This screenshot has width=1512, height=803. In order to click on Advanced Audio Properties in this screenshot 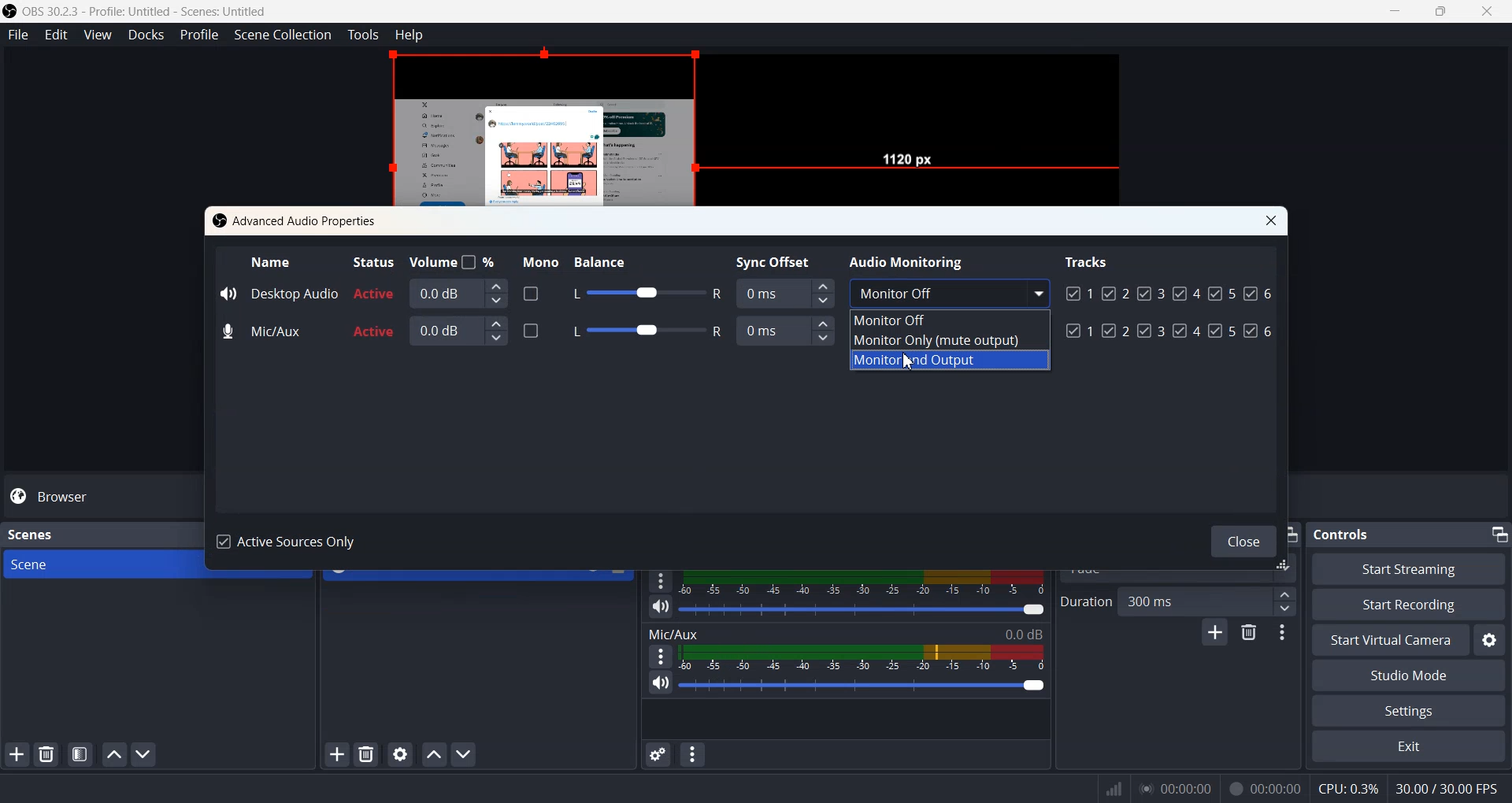, I will do `click(298, 220)`.